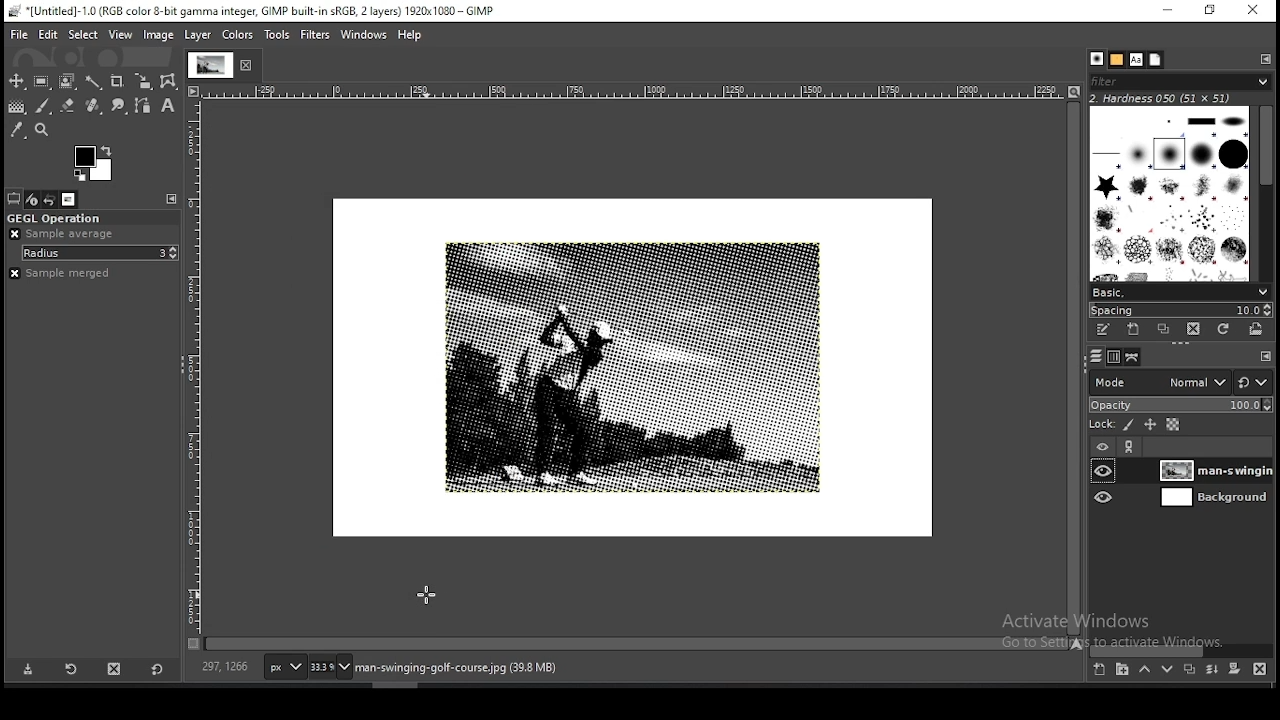 The image size is (1280, 720). What do you see at coordinates (1236, 669) in the screenshot?
I see `add a mask` at bounding box center [1236, 669].